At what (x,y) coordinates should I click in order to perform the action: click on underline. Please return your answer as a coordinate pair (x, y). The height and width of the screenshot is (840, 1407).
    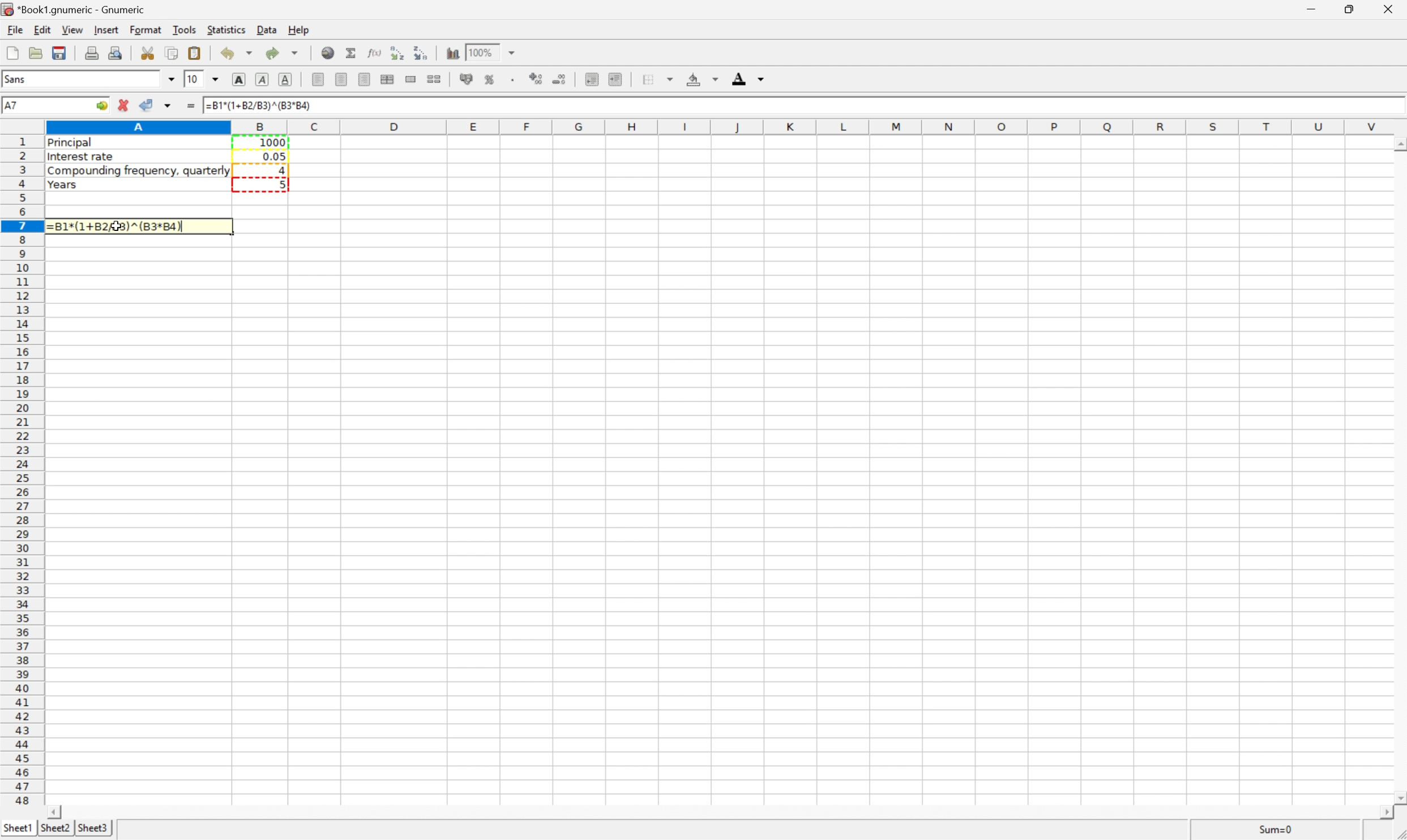
    Looking at the image, I should click on (286, 79).